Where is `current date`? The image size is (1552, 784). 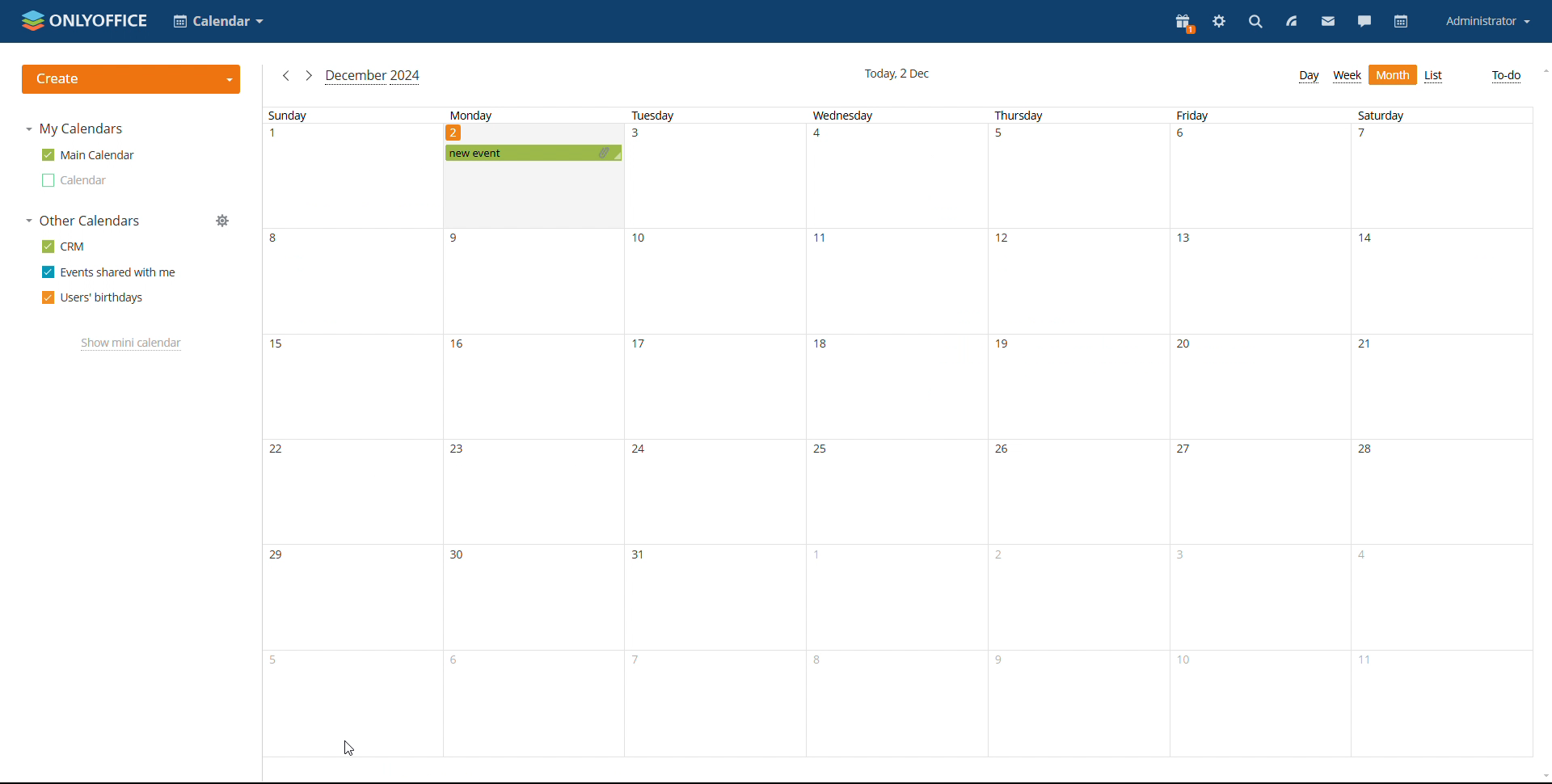
current date is located at coordinates (897, 74).